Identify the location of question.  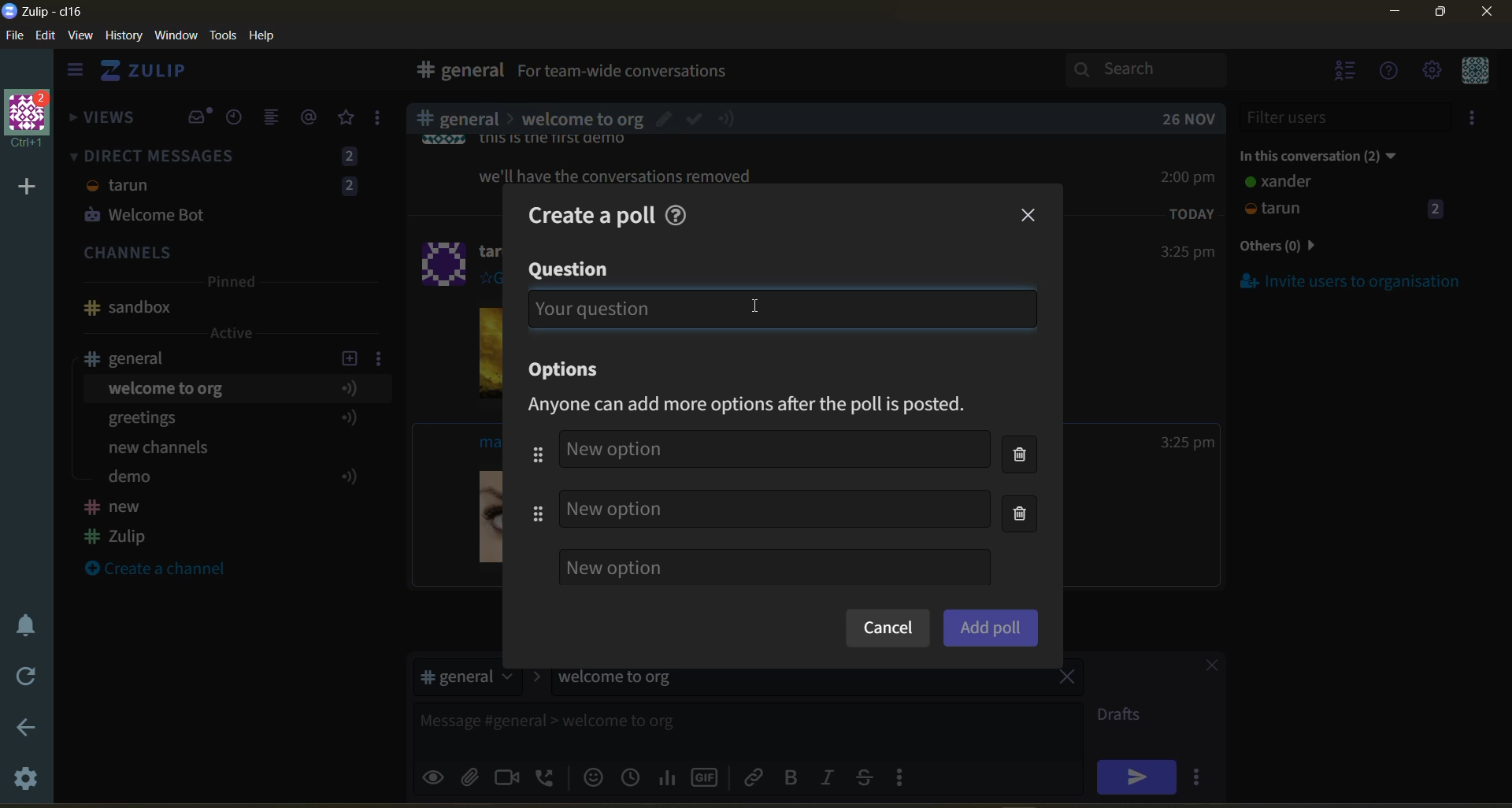
(571, 270).